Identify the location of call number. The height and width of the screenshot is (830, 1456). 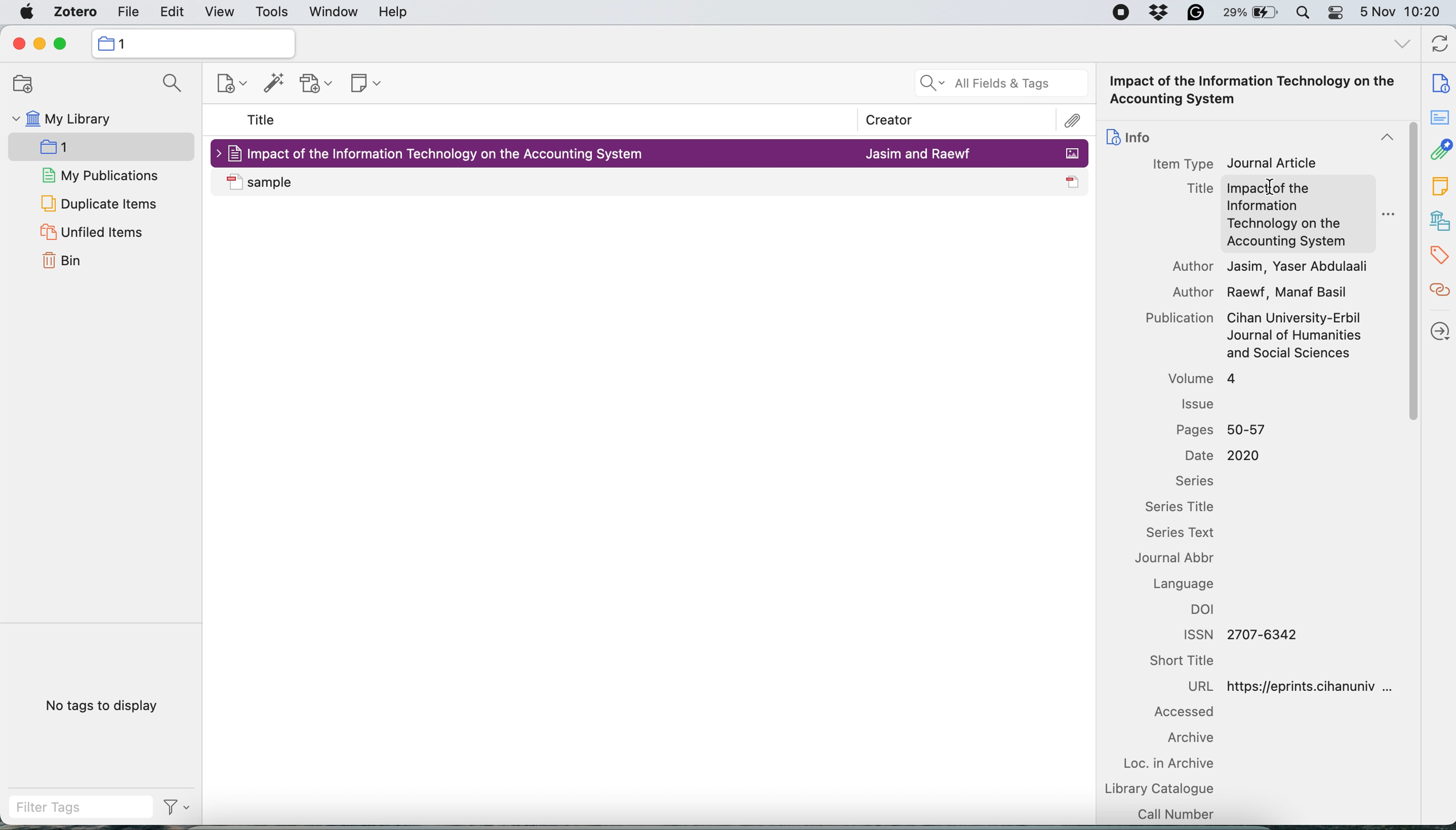
(1179, 813).